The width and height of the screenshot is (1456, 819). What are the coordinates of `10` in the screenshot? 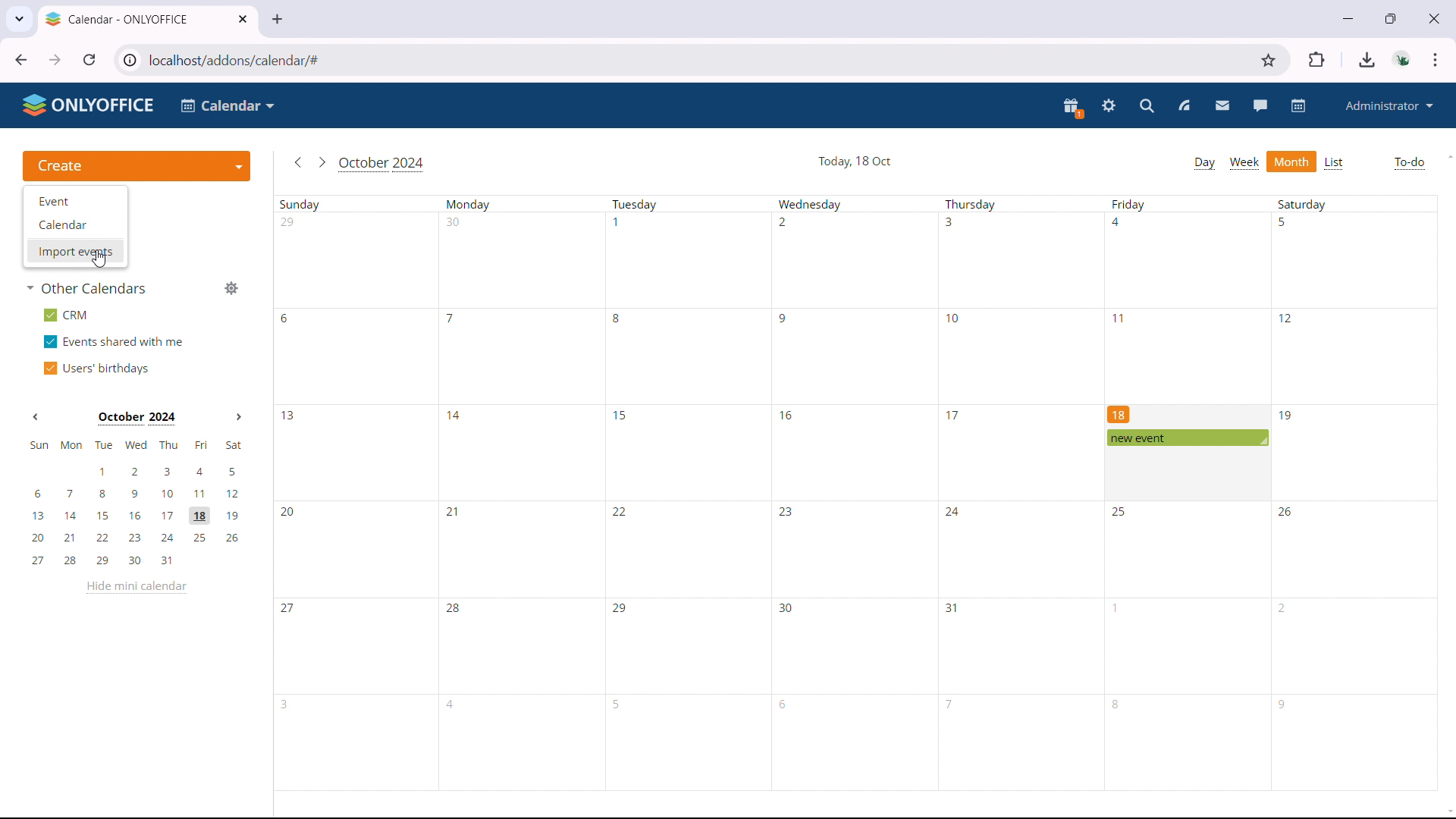 It's located at (955, 318).